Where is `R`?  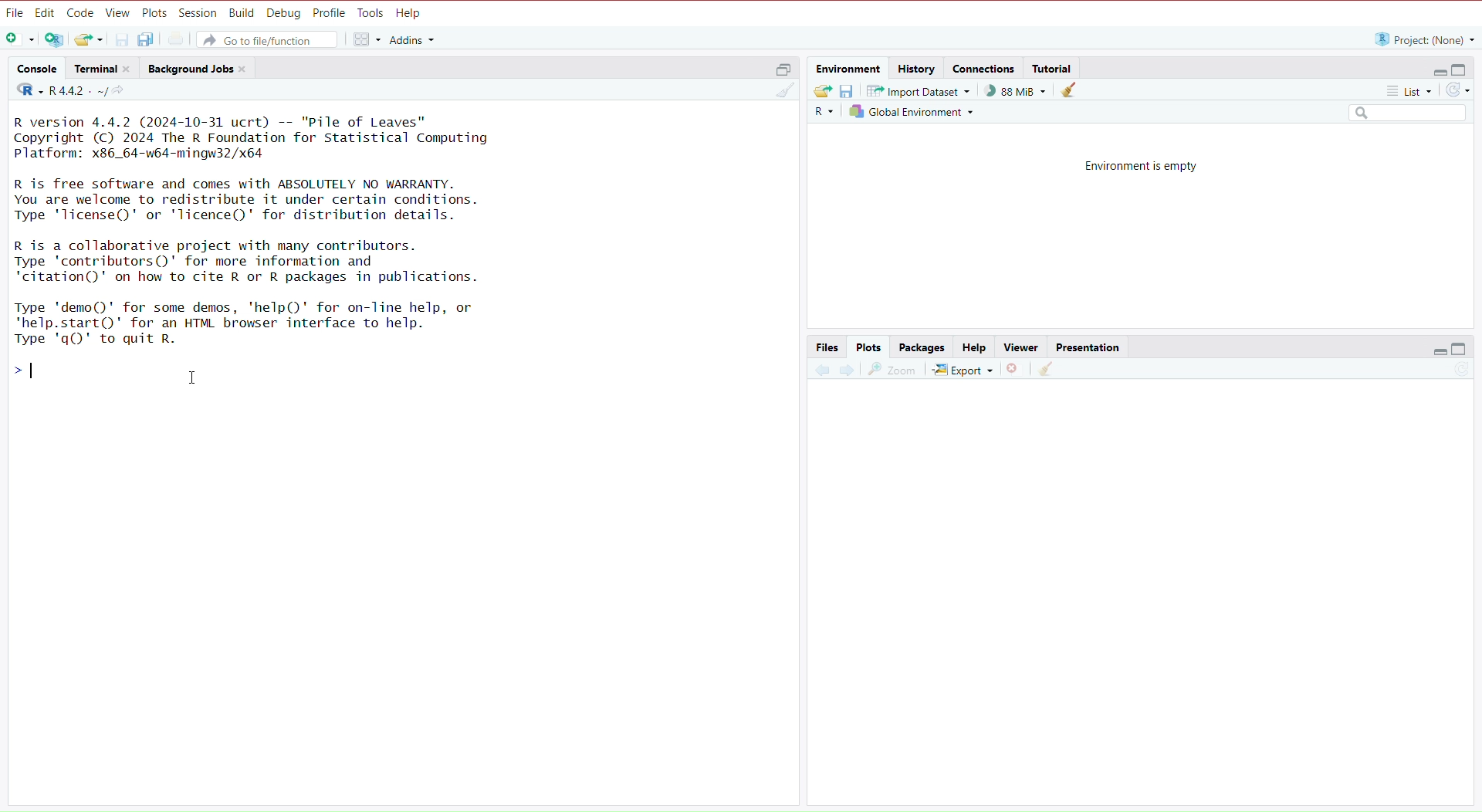
R is located at coordinates (822, 111).